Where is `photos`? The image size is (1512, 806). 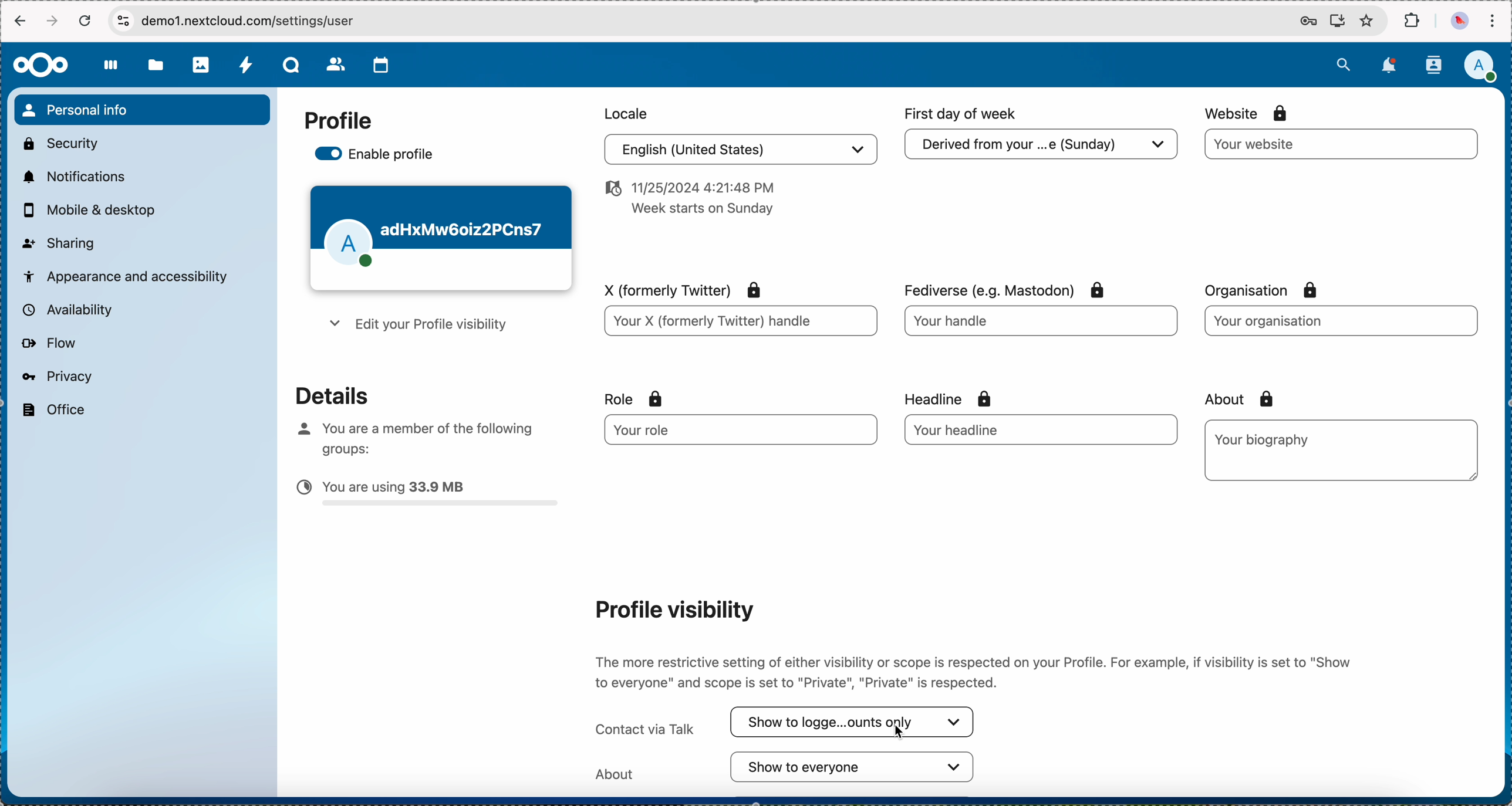
photos is located at coordinates (202, 65).